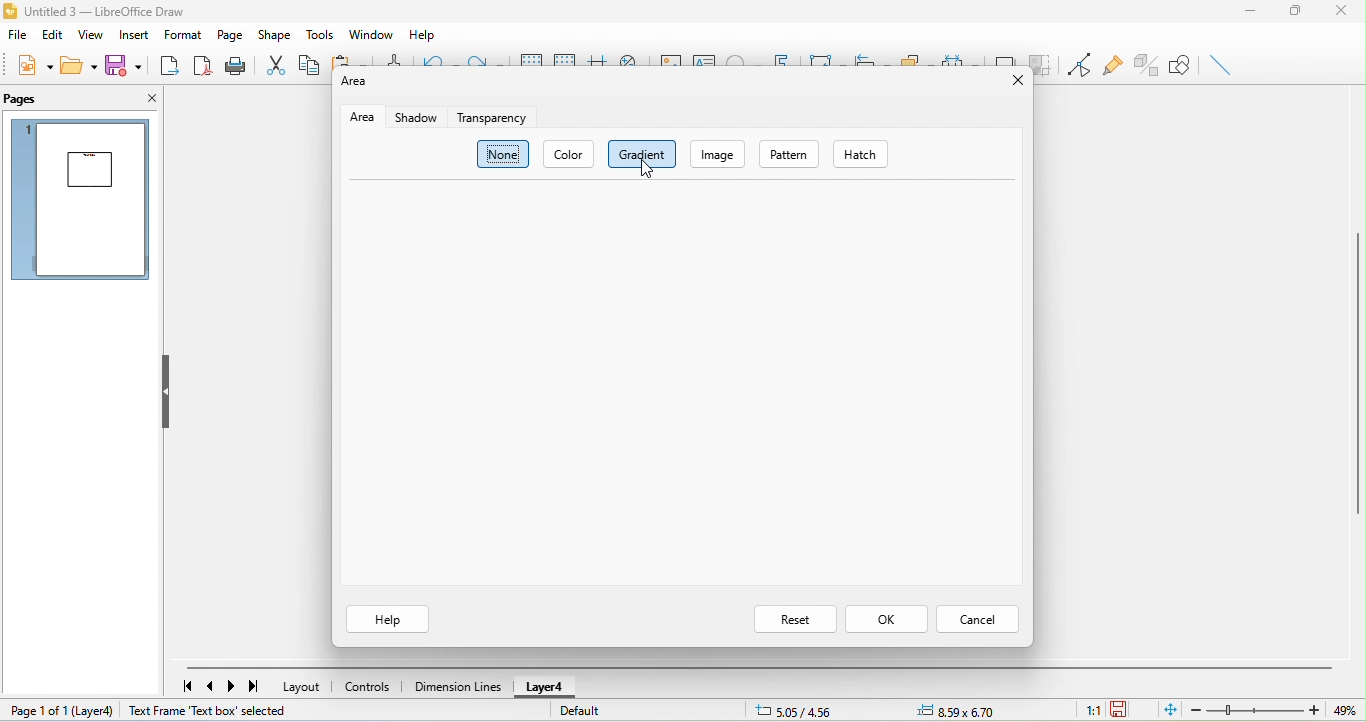 The width and height of the screenshot is (1366, 722). Describe the element at coordinates (794, 618) in the screenshot. I see `reset` at that location.